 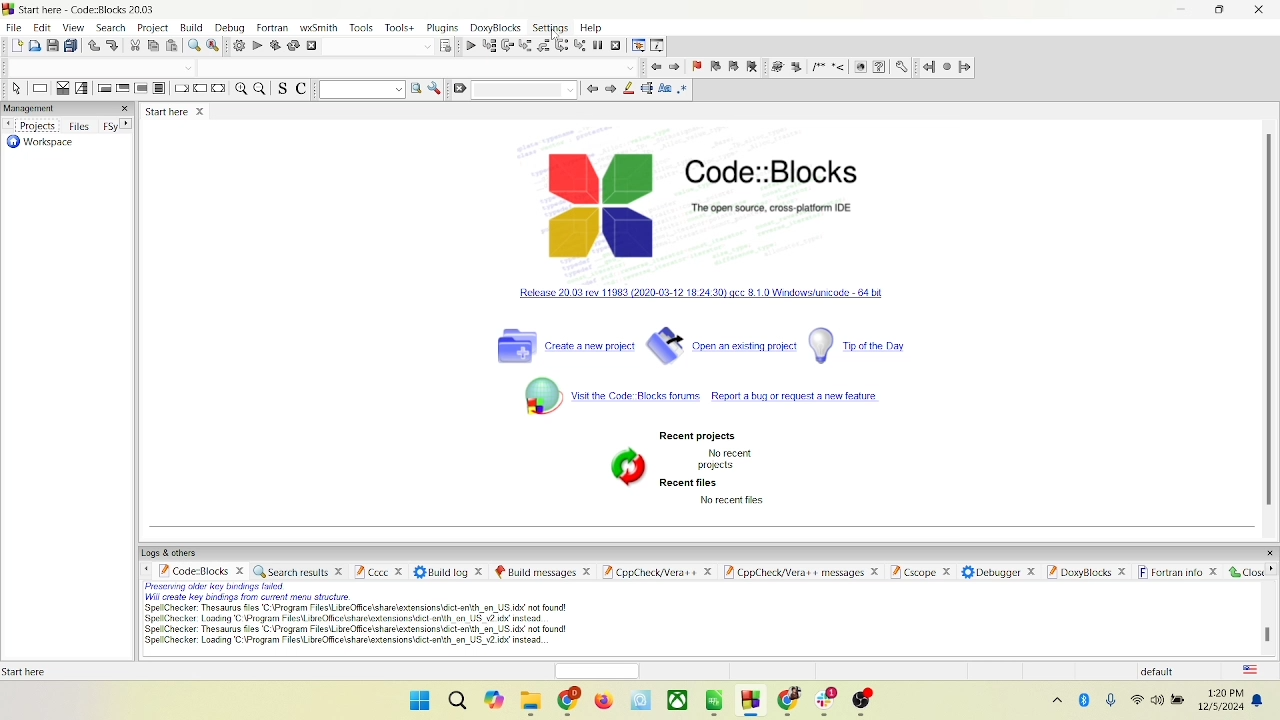 I want to click on next line, so click(x=507, y=45).